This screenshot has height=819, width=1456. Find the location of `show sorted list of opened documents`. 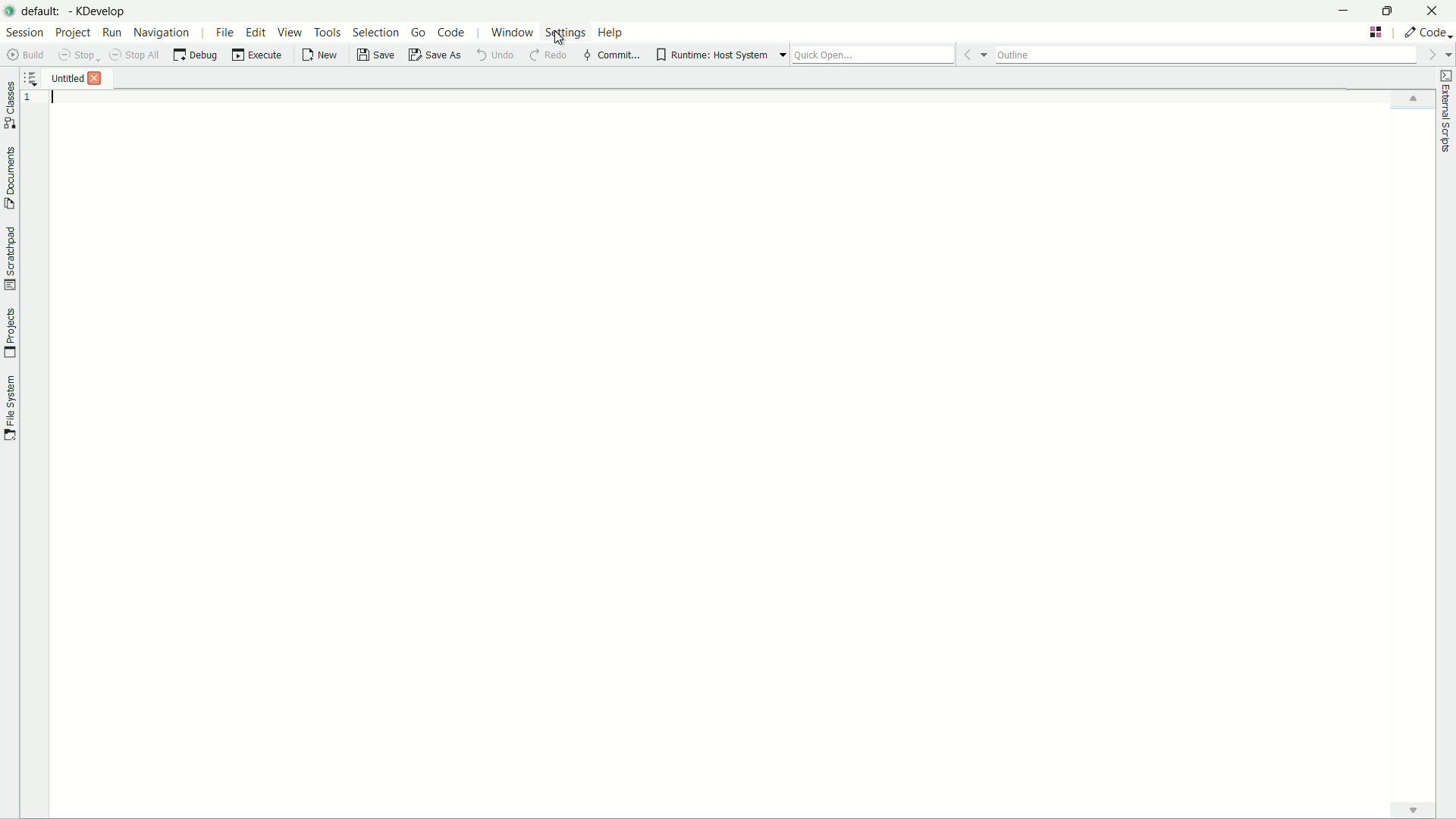

show sorted list of opened documents is located at coordinates (33, 78).